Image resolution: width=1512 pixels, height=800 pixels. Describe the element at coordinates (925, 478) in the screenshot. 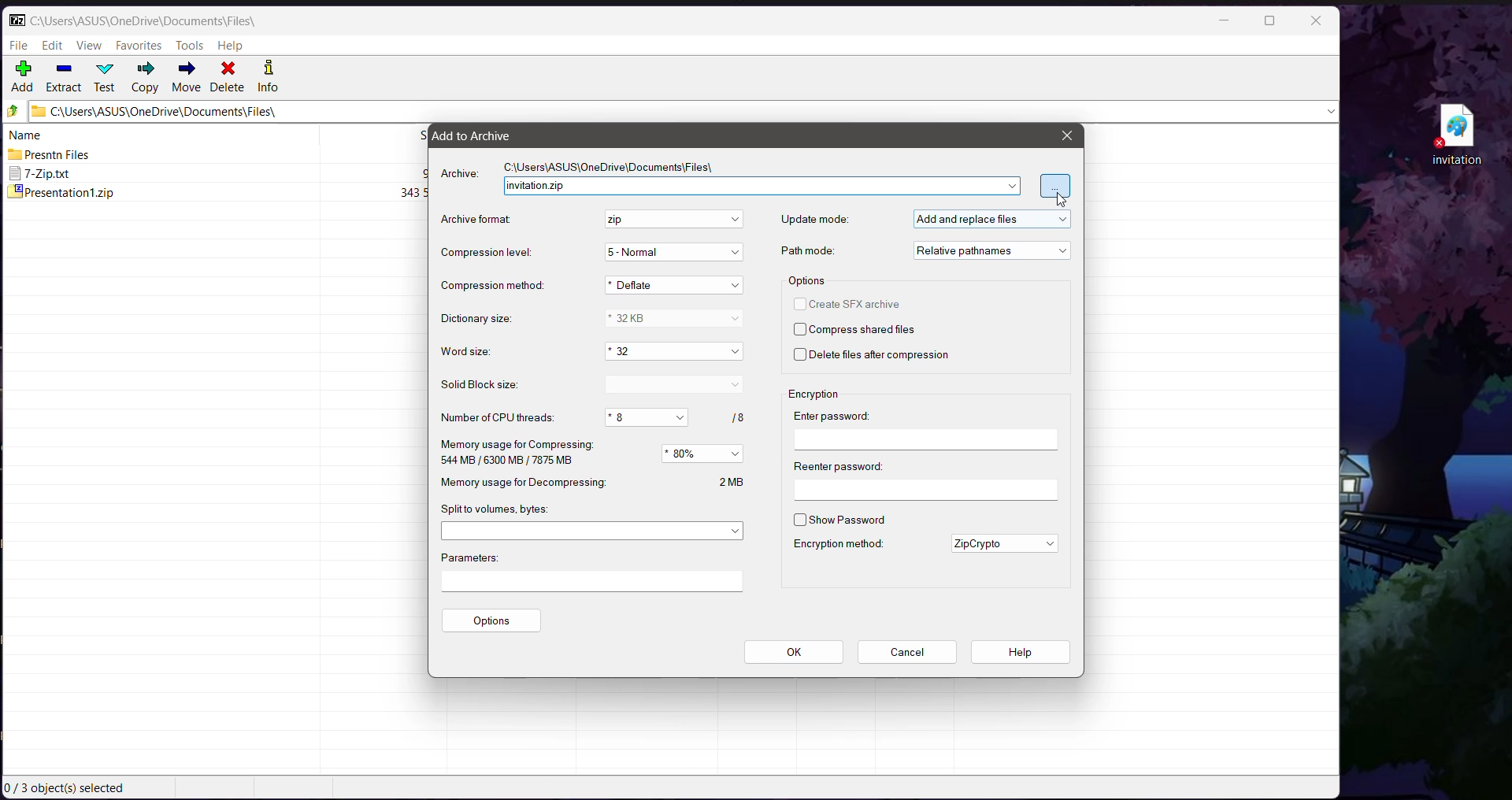

I see `Reenter password` at that location.